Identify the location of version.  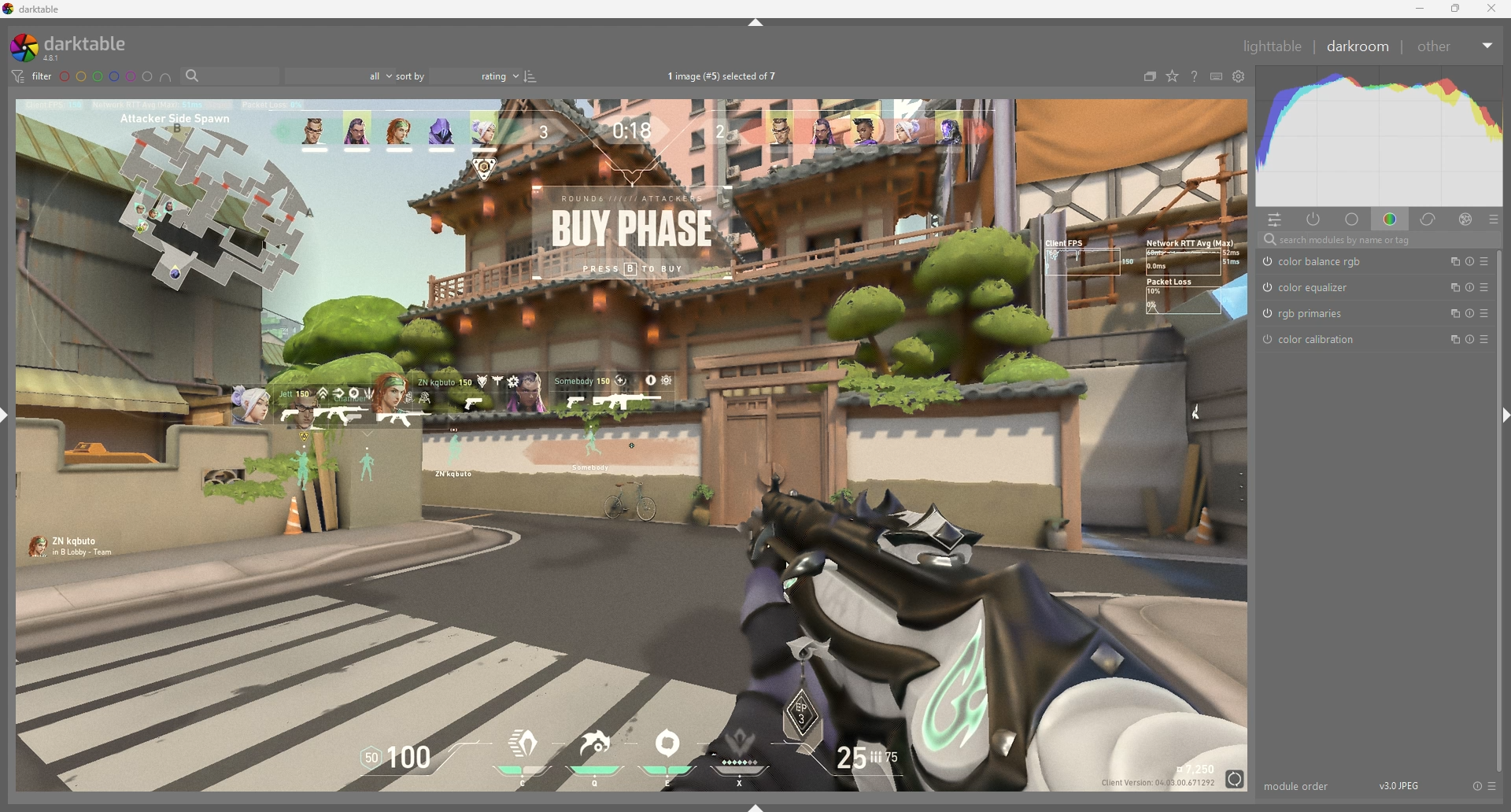
(1399, 785).